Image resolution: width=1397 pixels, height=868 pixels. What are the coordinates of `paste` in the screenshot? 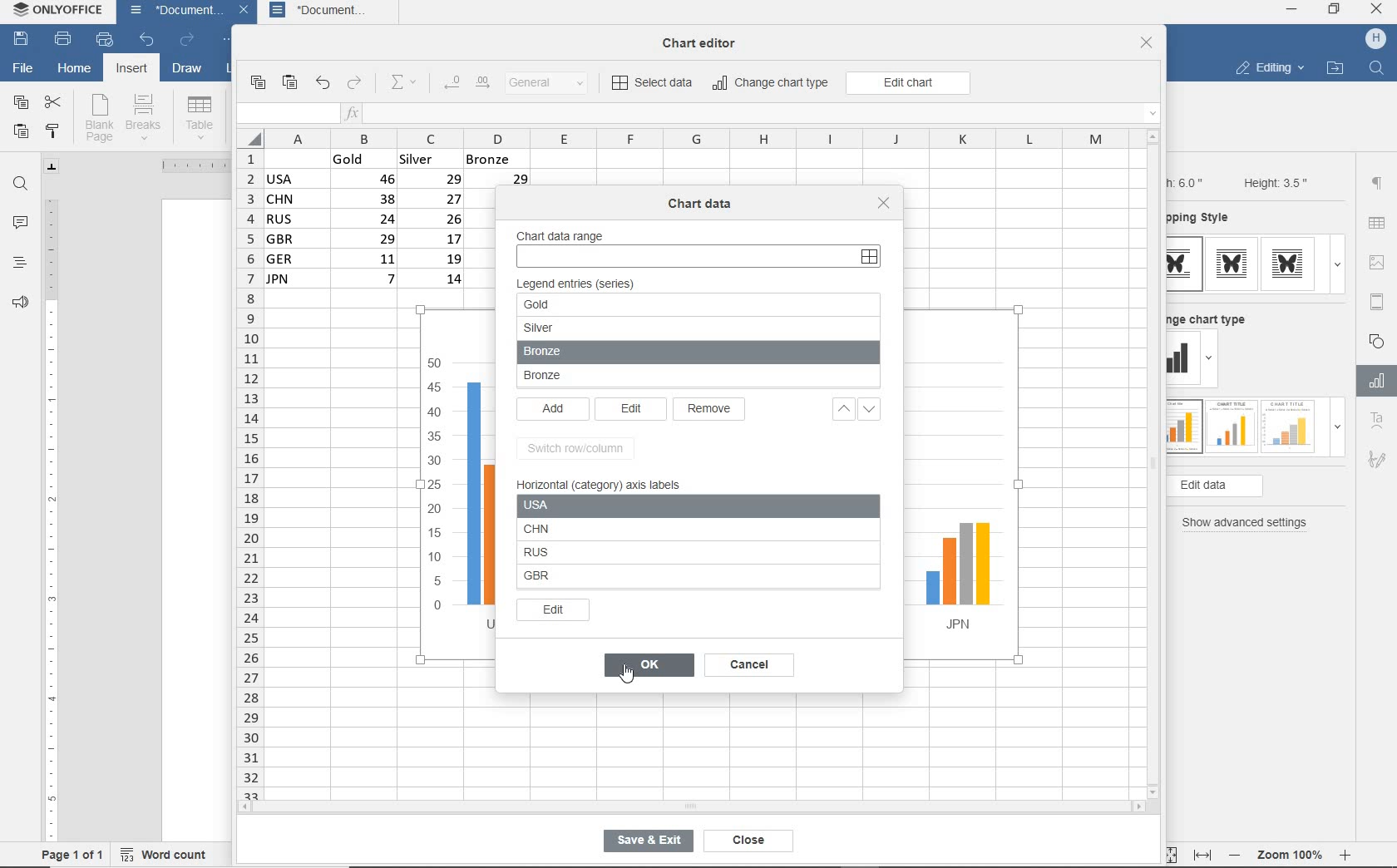 It's located at (21, 133).